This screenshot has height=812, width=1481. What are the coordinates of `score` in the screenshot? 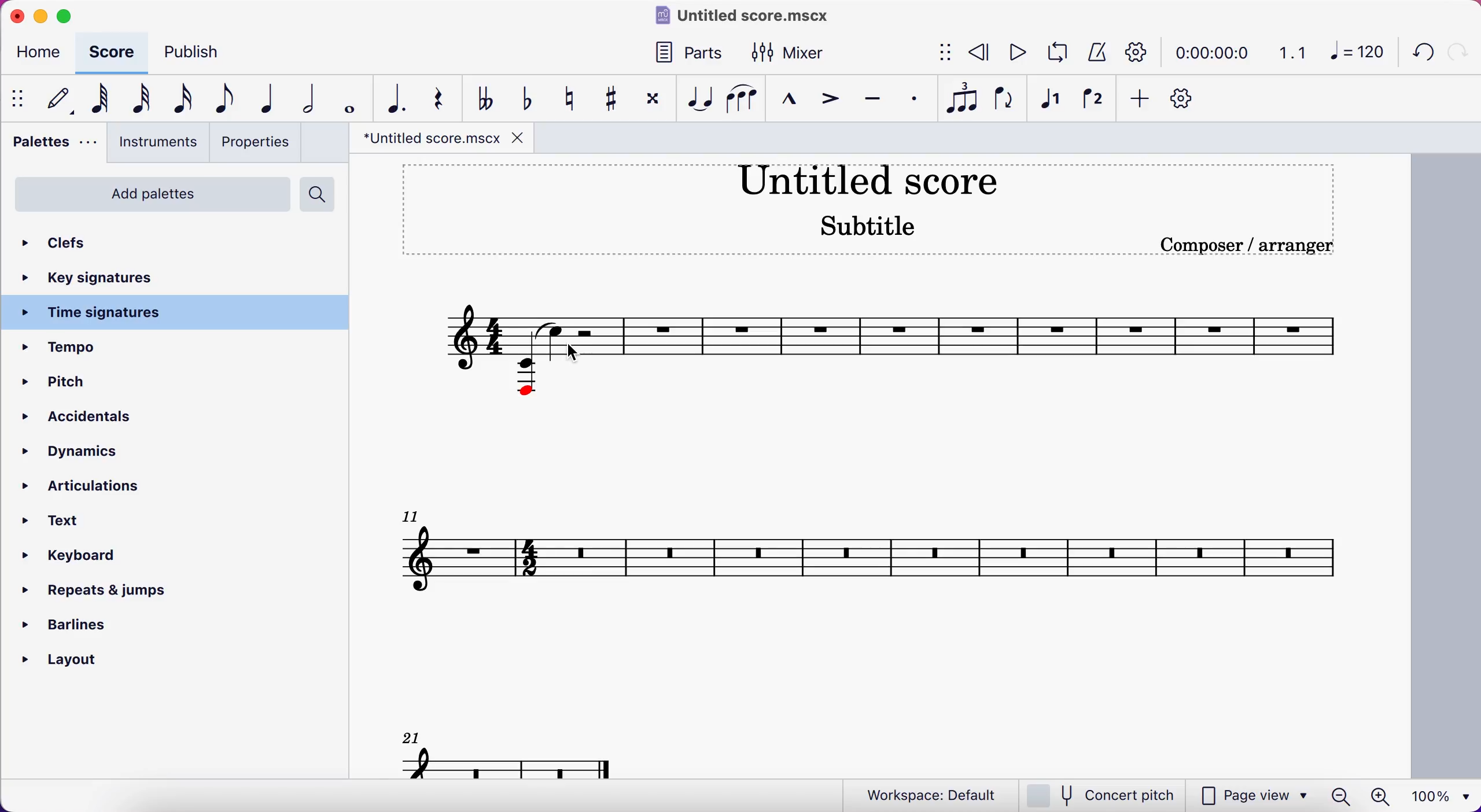 It's located at (116, 55).